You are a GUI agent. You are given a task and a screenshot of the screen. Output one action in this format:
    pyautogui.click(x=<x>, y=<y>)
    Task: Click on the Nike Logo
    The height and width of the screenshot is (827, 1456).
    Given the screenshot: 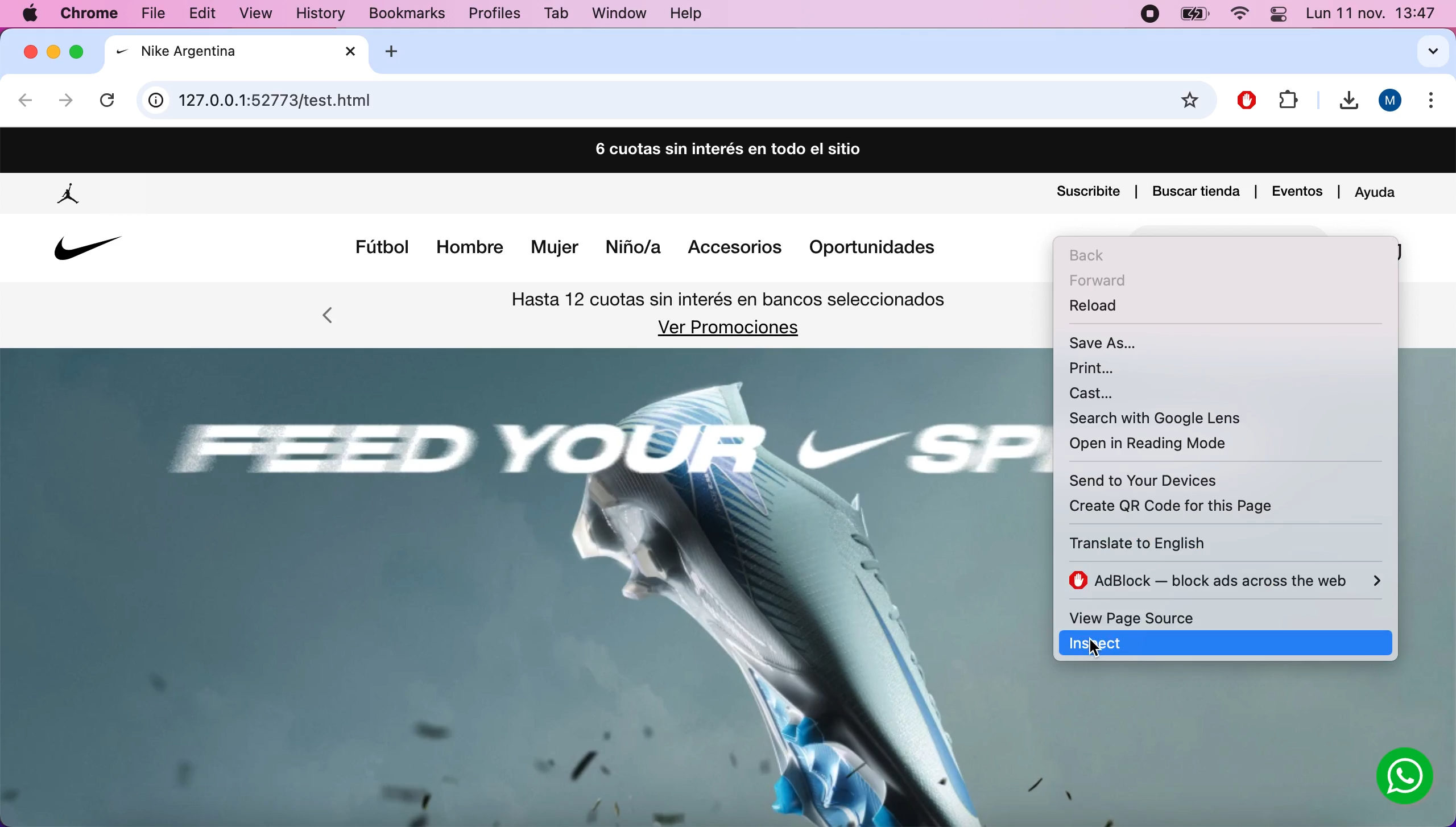 What is the action you would take?
    pyautogui.click(x=84, y=249)
    